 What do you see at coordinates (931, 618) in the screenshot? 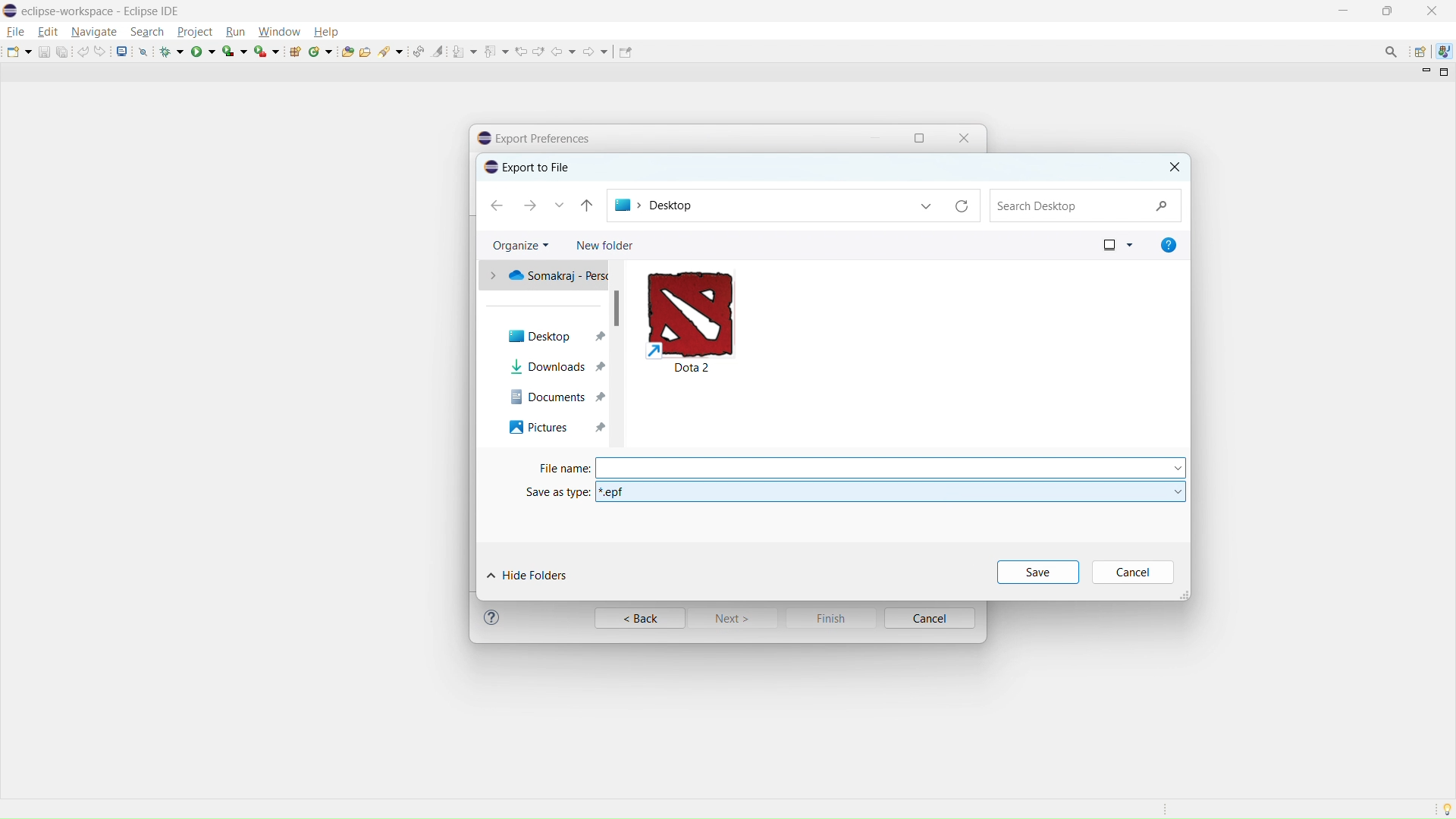
I see `Cancel` at bounding box center [931, 618].